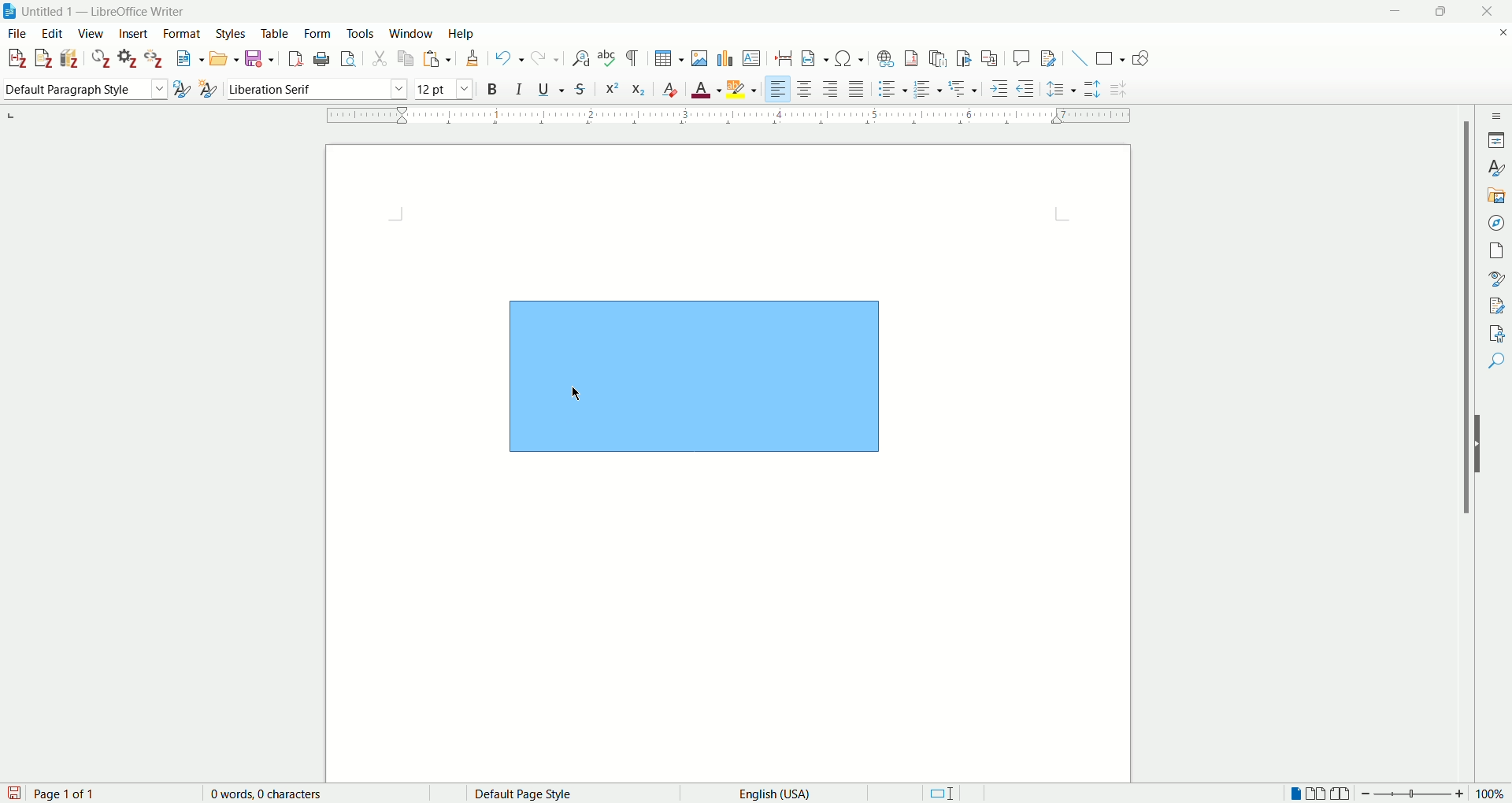  What do you see at coordinates (850, 59) in the screenshot?
I see `insert symbol` at bounding box center [850, 59].